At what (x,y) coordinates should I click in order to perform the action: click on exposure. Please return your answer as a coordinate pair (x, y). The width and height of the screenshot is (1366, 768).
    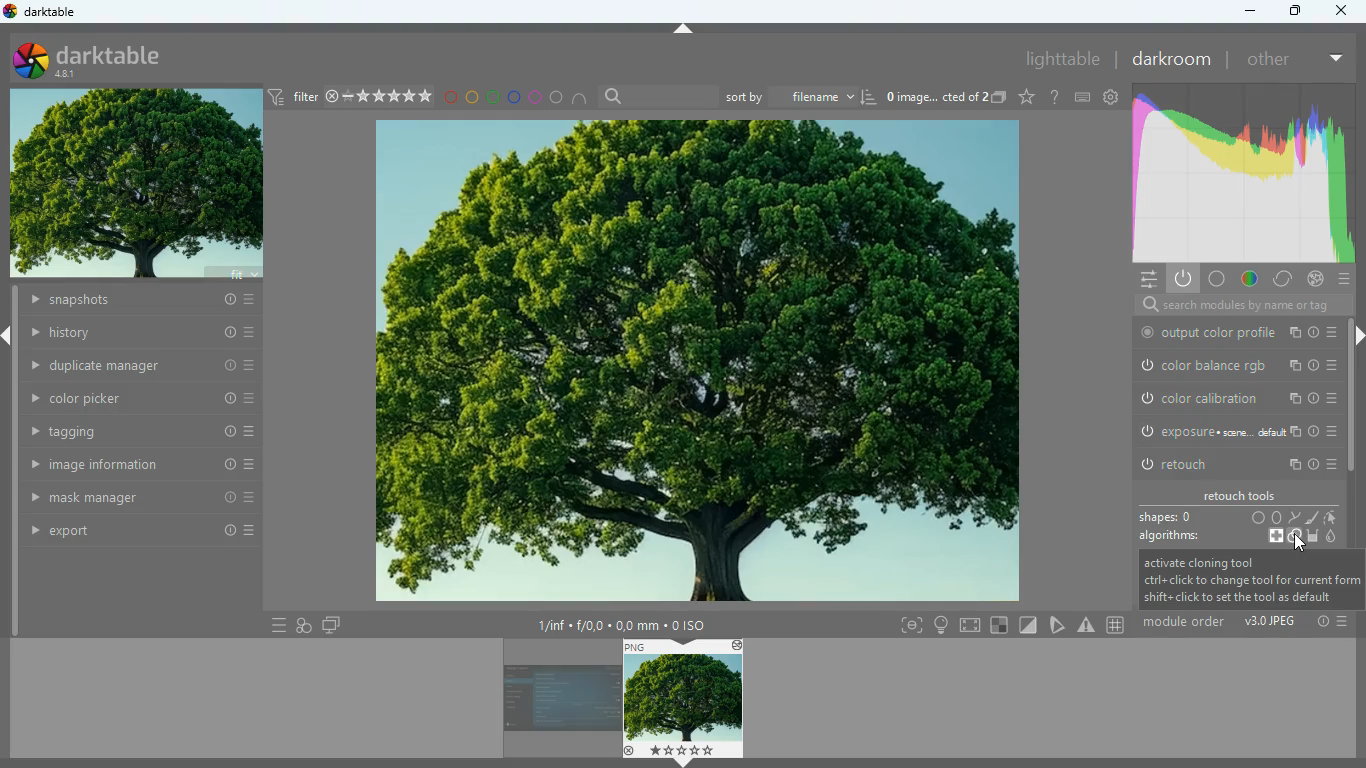
    Looking at the image, I should click on (1232, 431).